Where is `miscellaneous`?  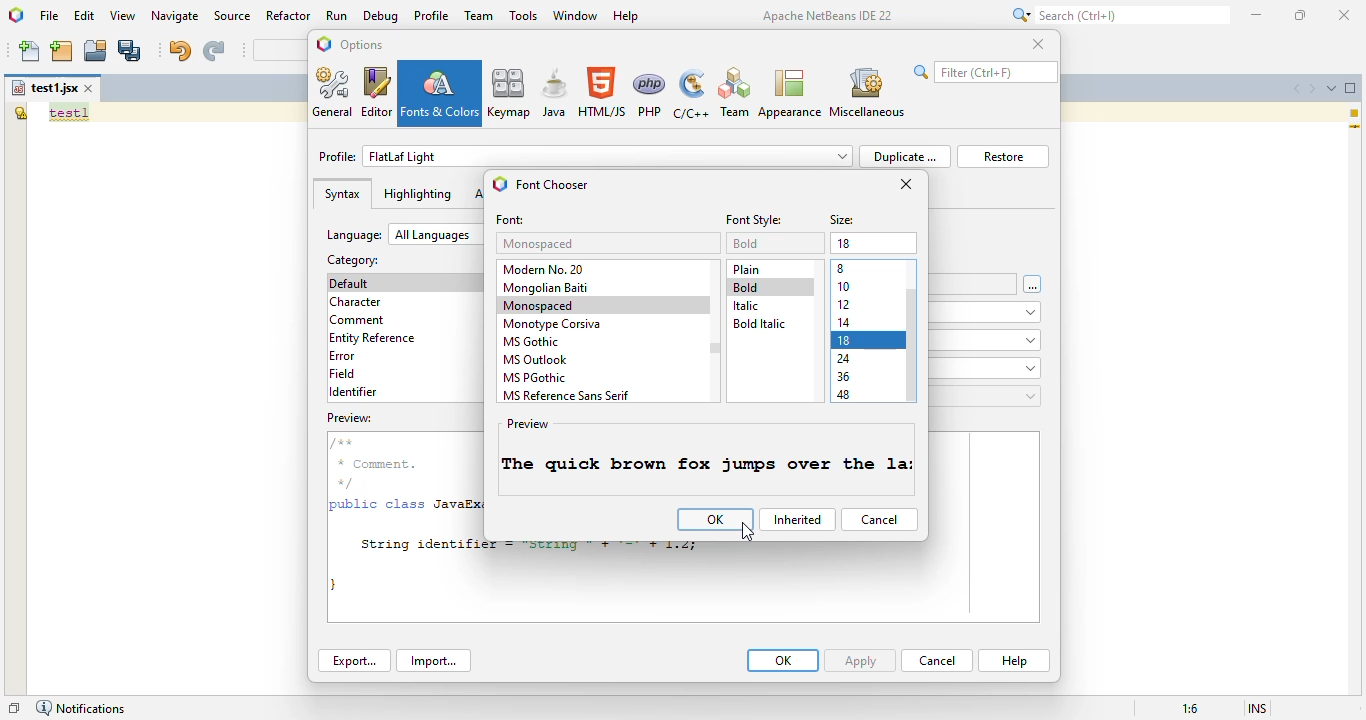 miscellaneous is located at coordinates (867, 91).